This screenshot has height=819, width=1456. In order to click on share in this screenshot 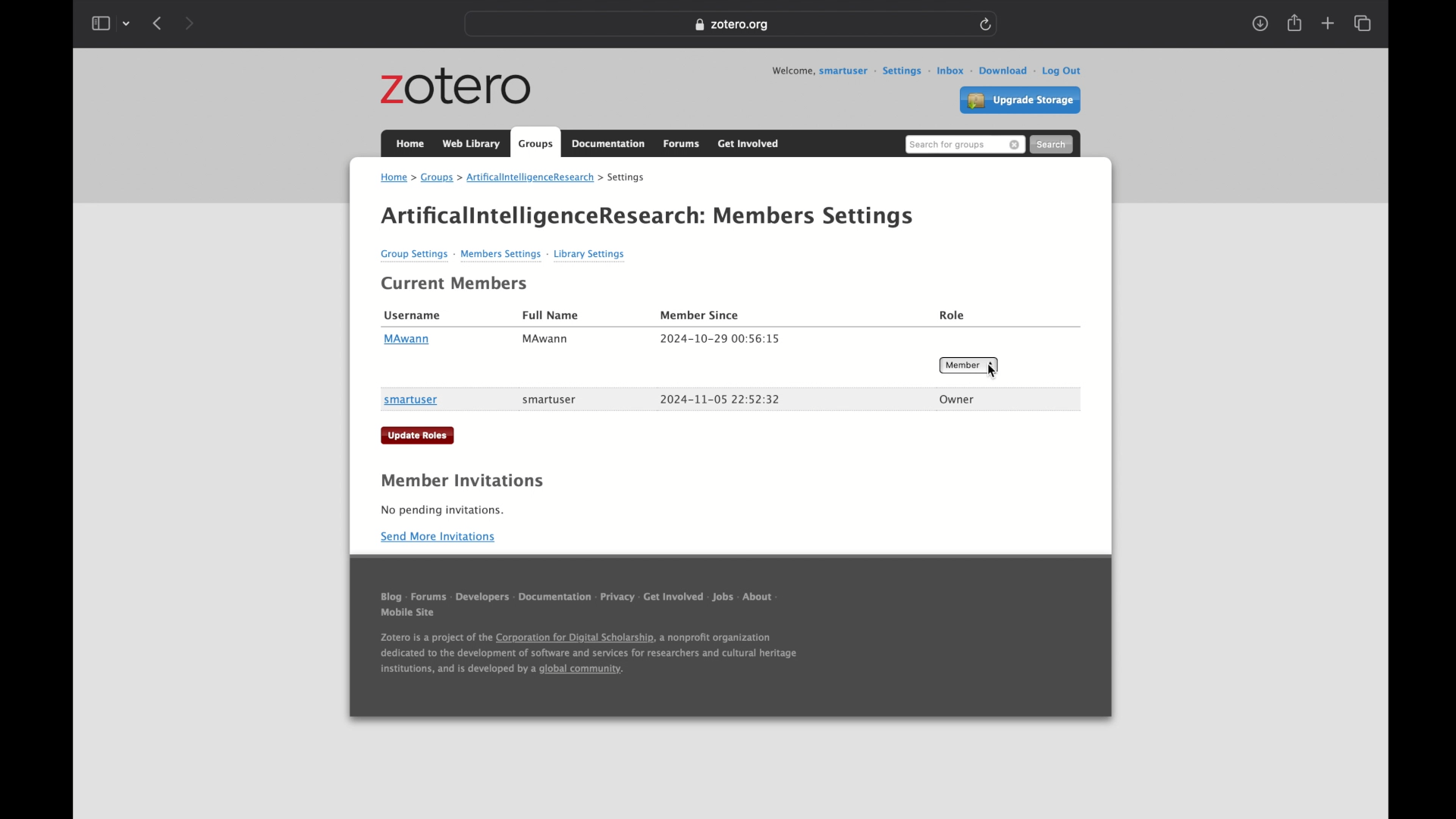, I will do `click(1294, 23)`.